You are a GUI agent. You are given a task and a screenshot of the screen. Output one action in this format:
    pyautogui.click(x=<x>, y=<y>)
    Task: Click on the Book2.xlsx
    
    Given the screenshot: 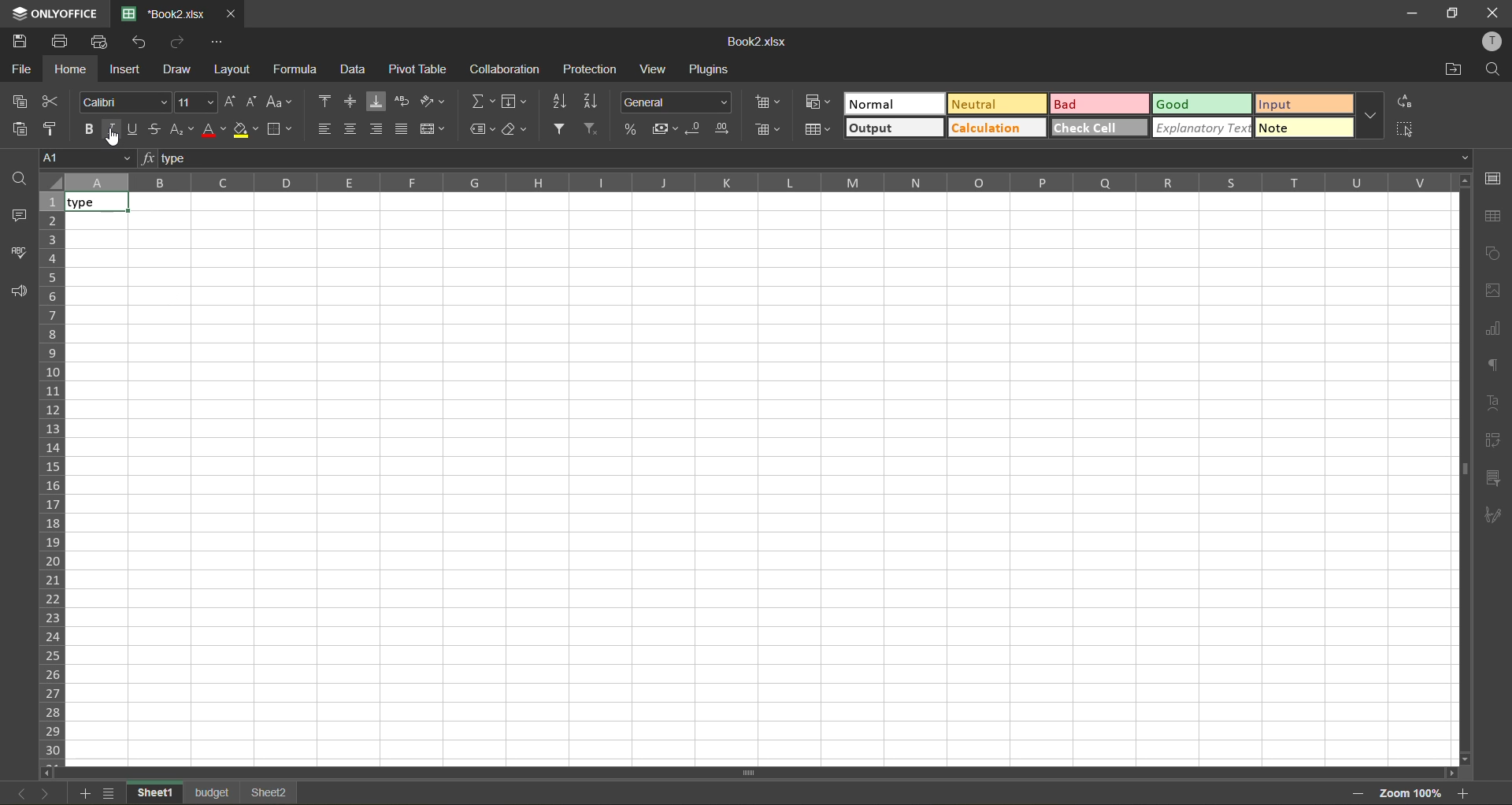 What is the action you would take?
    pyautogui.click(x=156, y=11)
    